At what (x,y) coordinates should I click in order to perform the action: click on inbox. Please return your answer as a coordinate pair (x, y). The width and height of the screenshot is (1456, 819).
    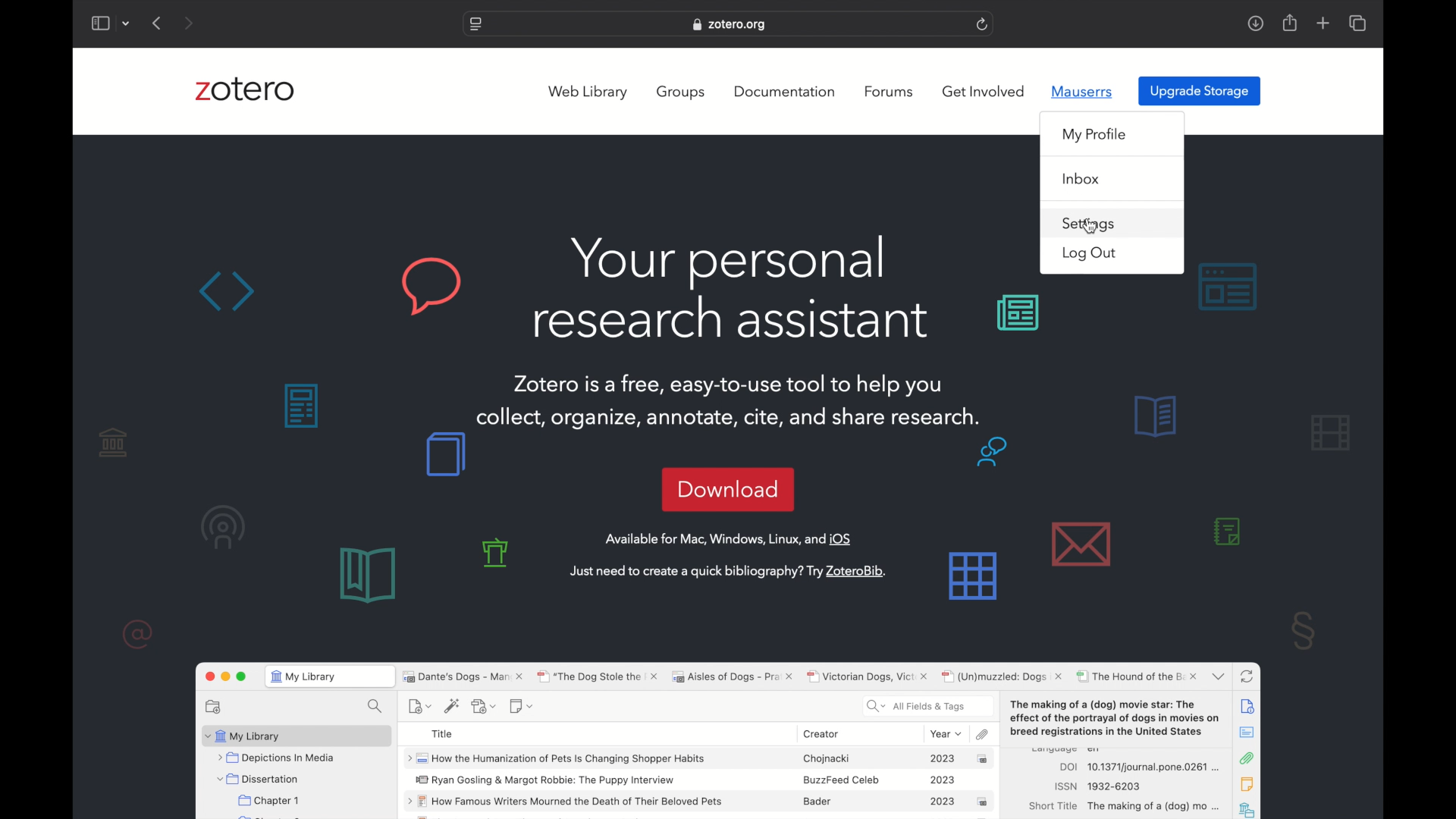
    Looking at the image, I should click on (1082, 179).